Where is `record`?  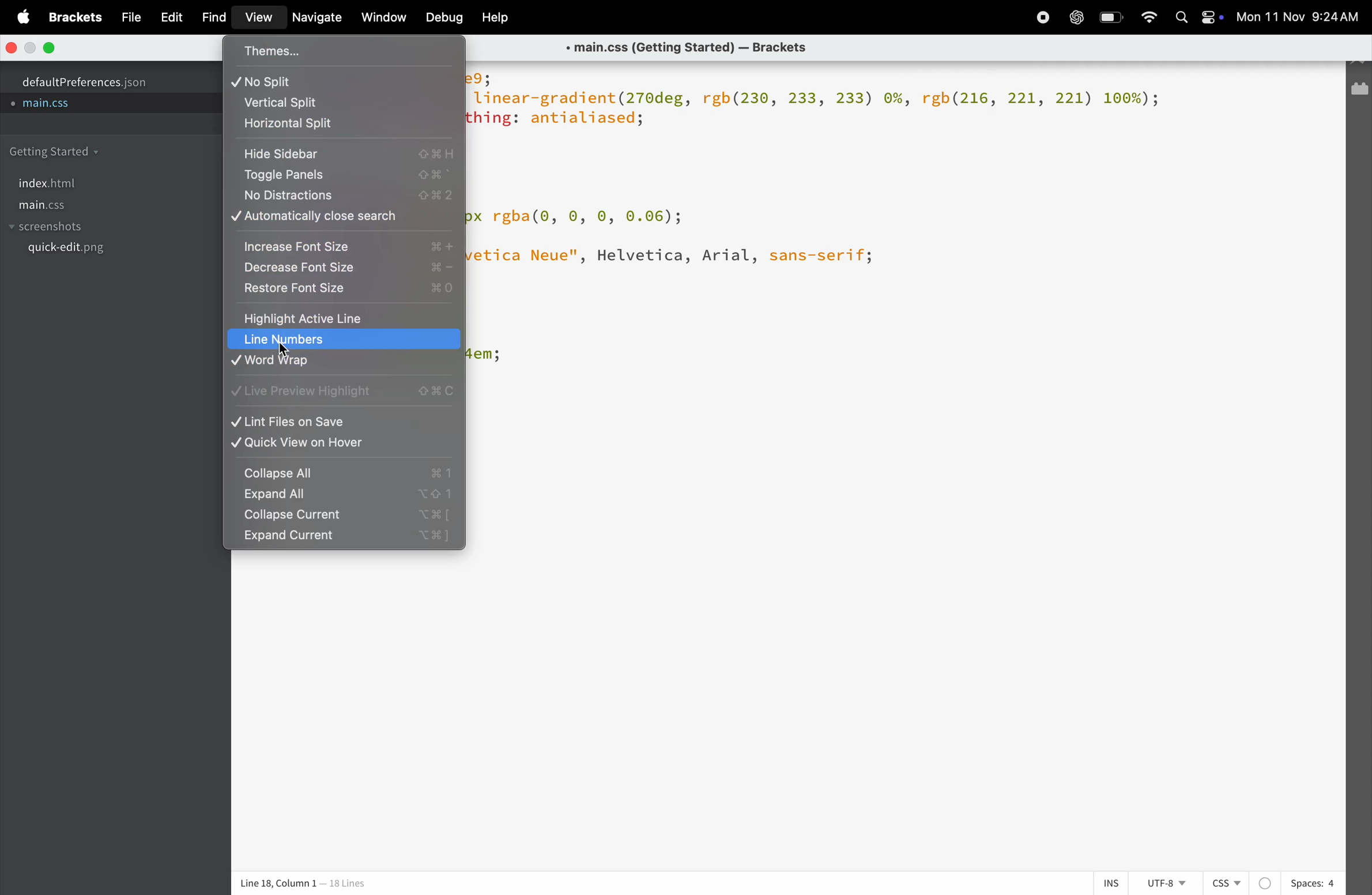 record is located at coordinates (1076, 18).